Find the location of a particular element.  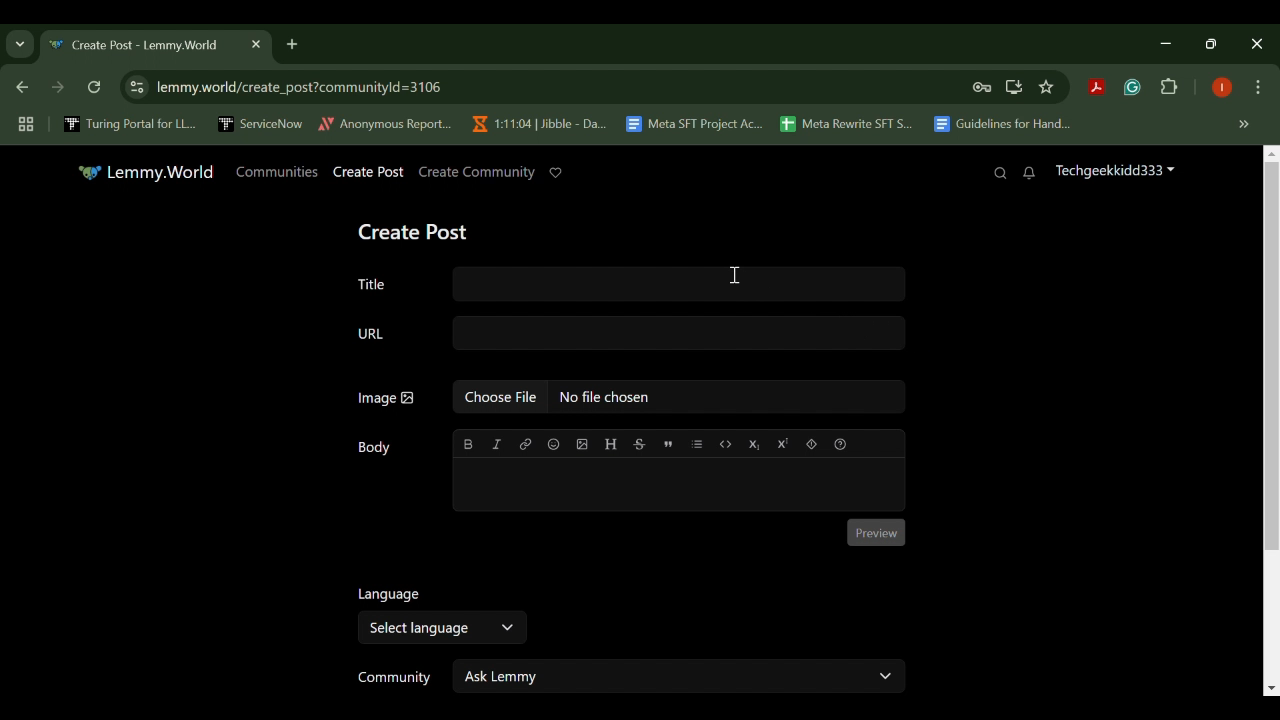

Language is located at coordinates (386, 593).